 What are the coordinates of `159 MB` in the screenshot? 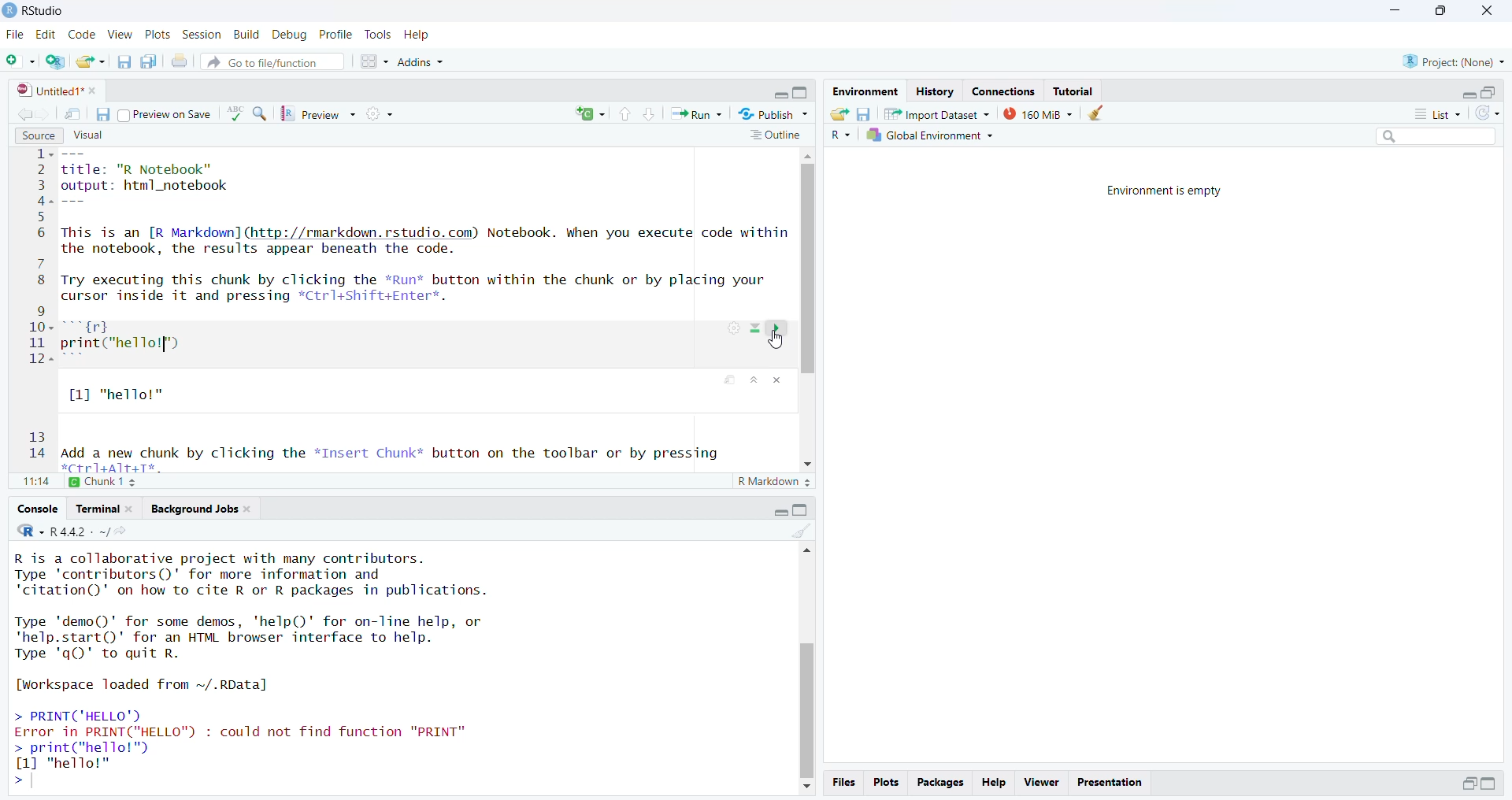 It's located at (1037, 113).